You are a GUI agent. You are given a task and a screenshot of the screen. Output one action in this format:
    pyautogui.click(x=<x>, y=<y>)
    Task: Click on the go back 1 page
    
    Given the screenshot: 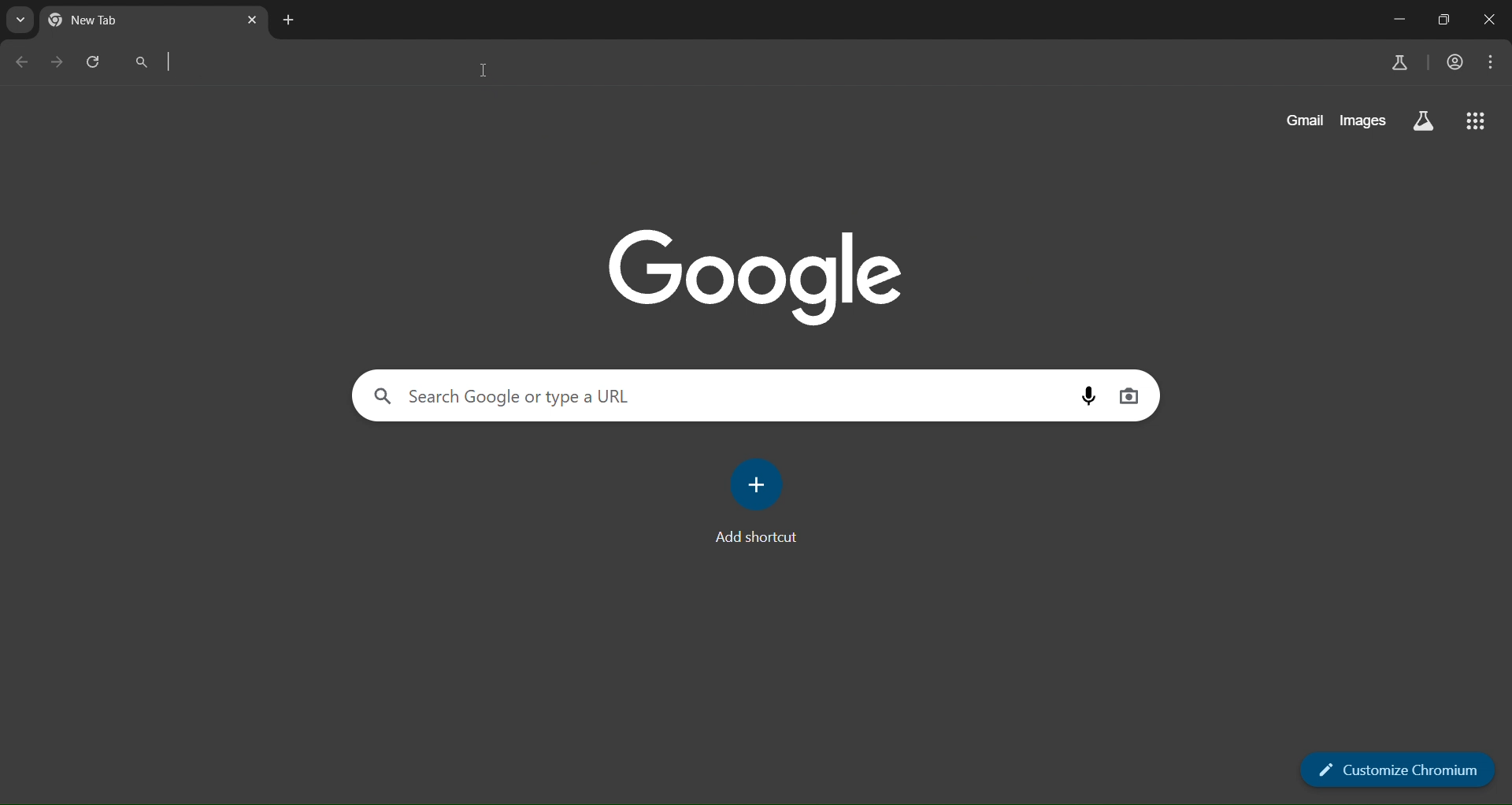 What is the action you would take?
    pyautogui.click(x=23, y=62)
    